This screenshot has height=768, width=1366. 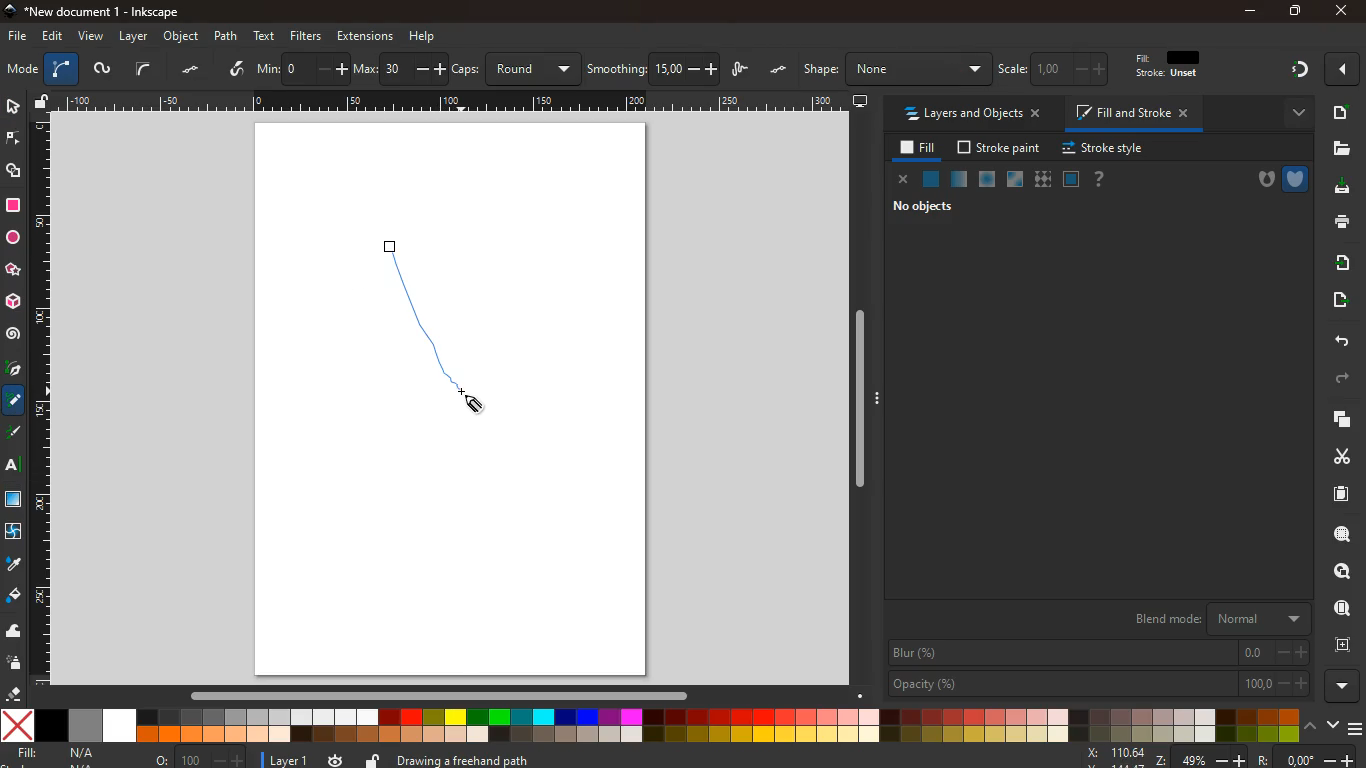 I want to click on Horizontal scroll bar, so click(x=429, y=695).